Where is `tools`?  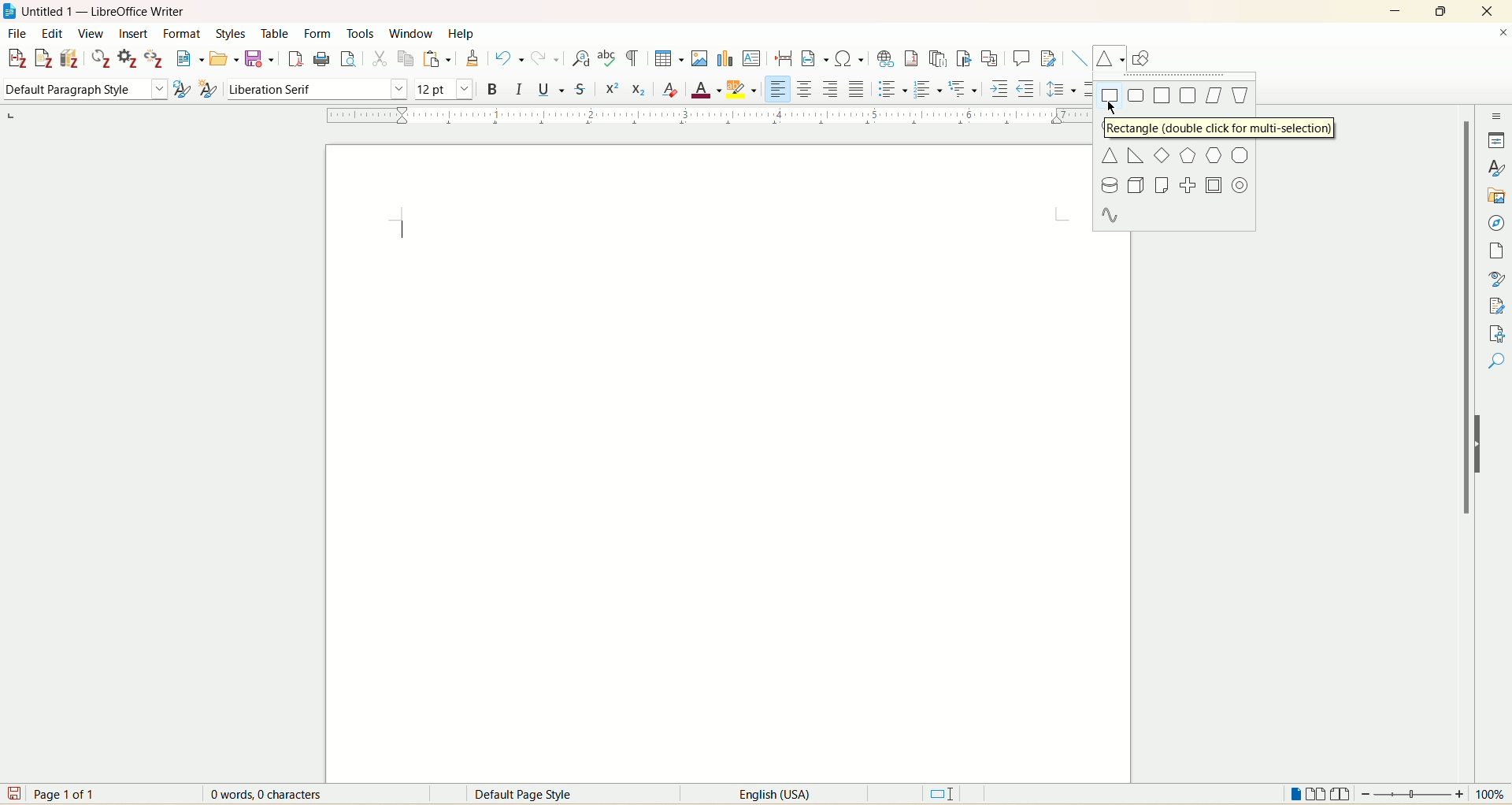
tools is located at coordinates (362, 32).